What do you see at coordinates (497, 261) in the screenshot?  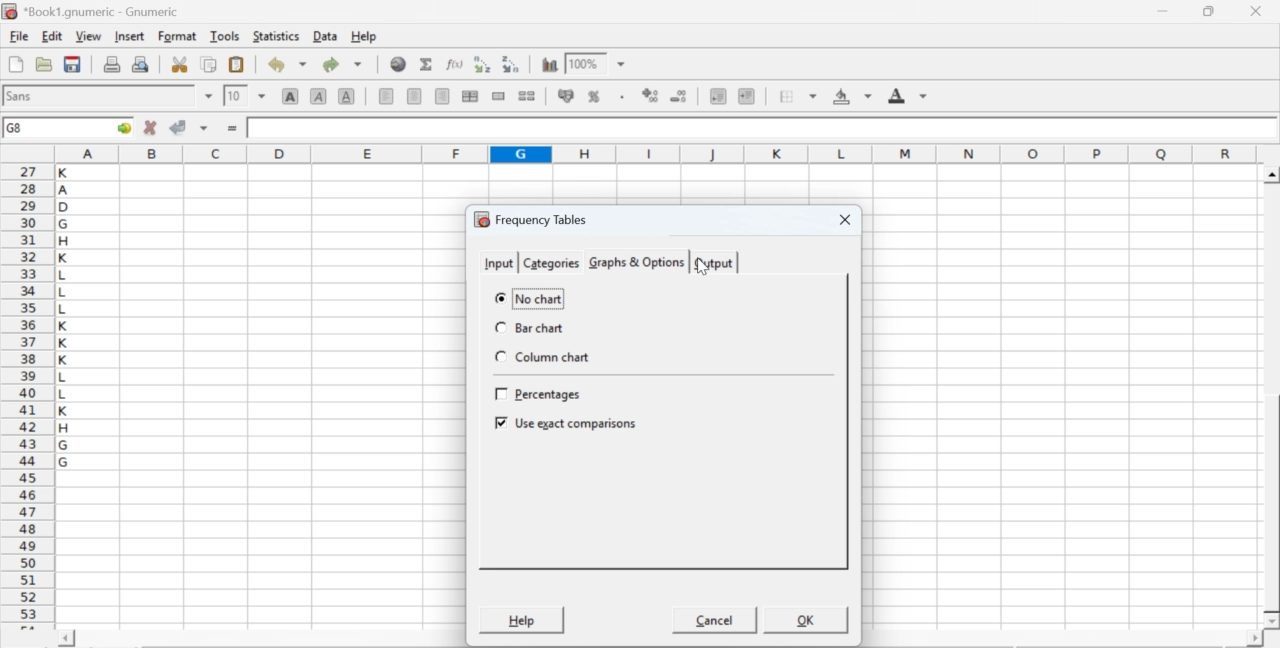 I see `input` at bounding box center [497, 261].